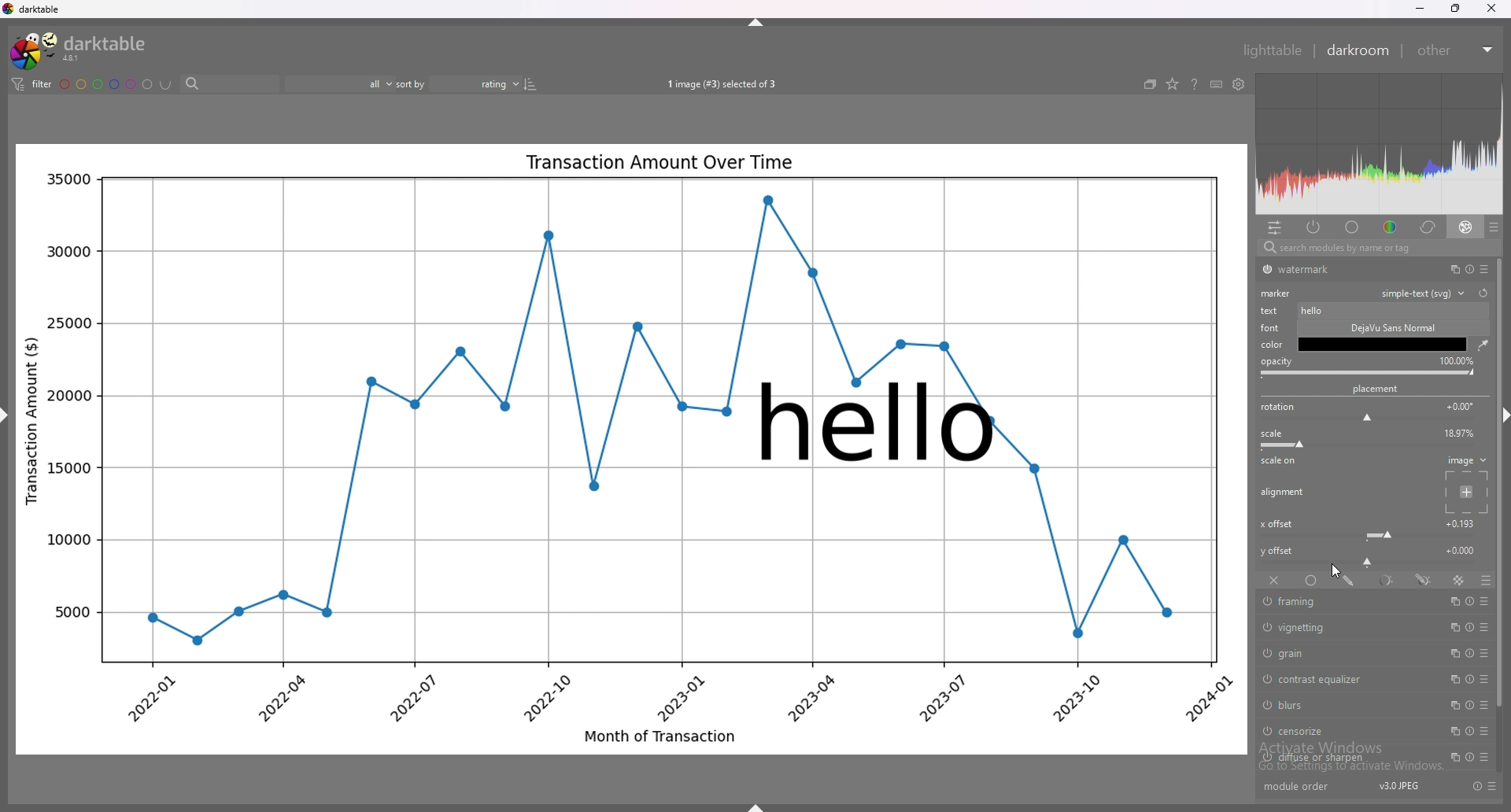 The height and width of the screenshot is (812, 1511). What do you see at coordinates (633, 257) in the screenshot?
I see `graph` at bounding box center [633, 257].